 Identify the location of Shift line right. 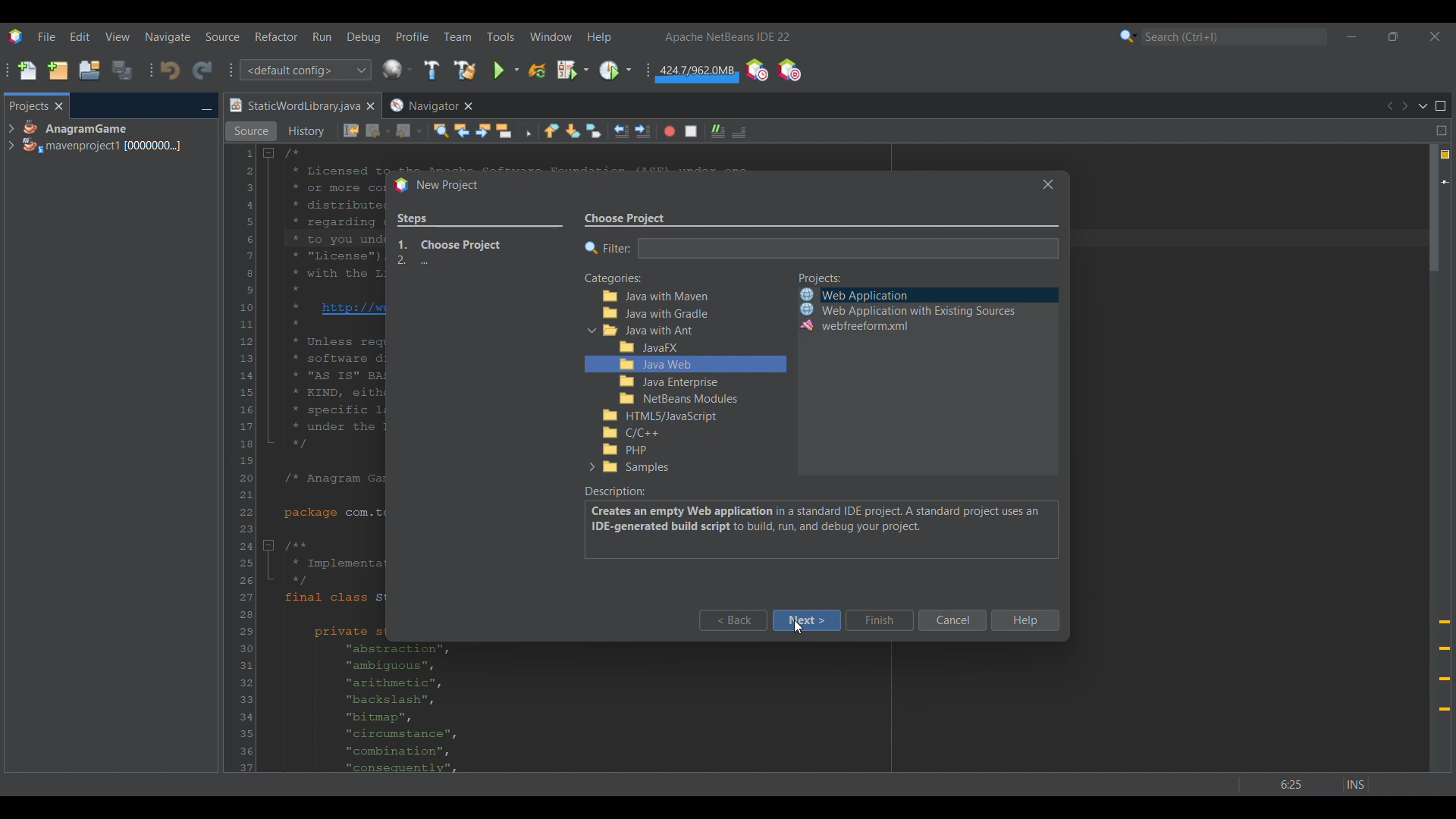
(642, 131).